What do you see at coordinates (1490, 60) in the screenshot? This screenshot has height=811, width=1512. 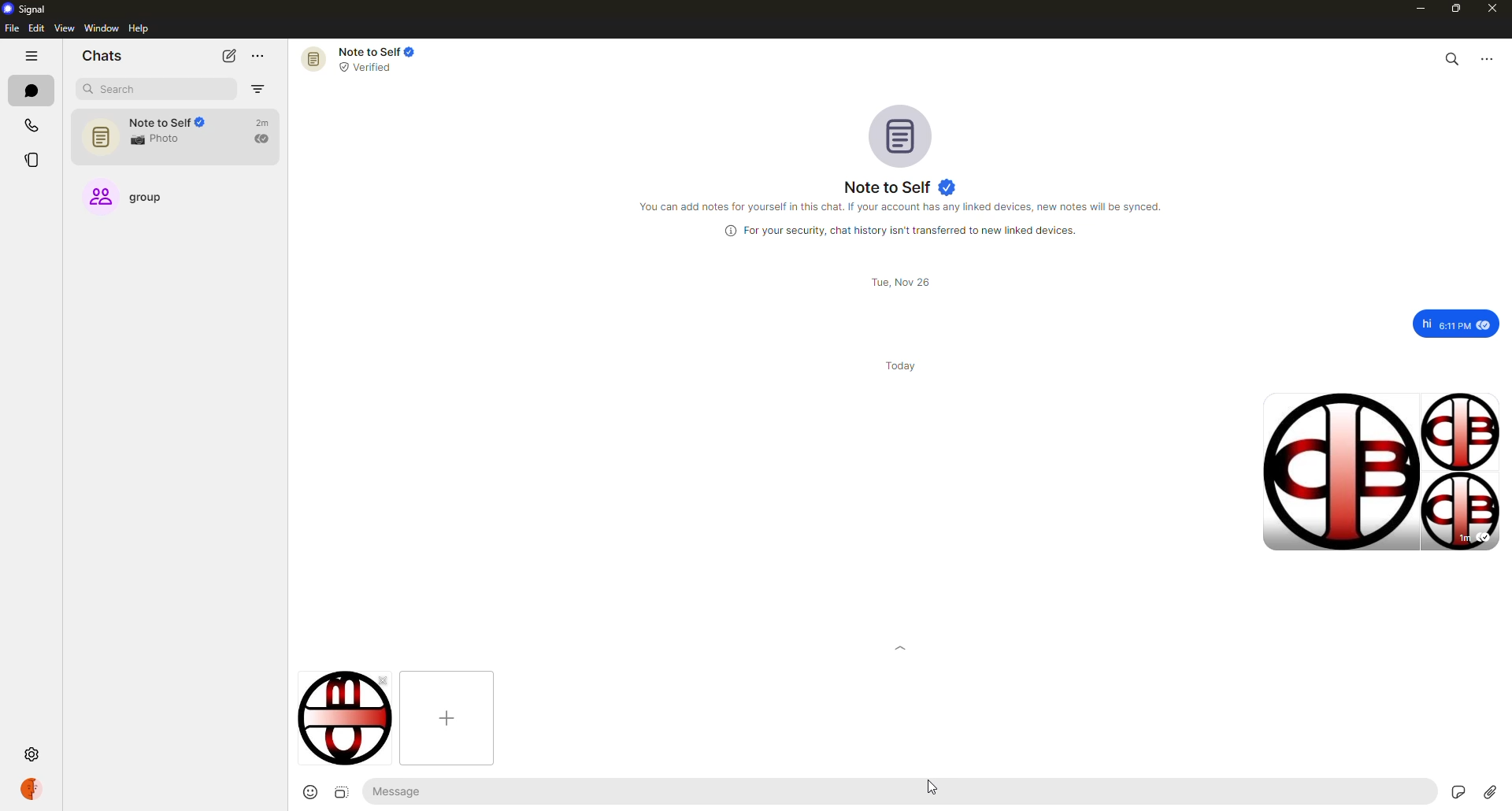 I see `more` at bounding box center [1490, 60].